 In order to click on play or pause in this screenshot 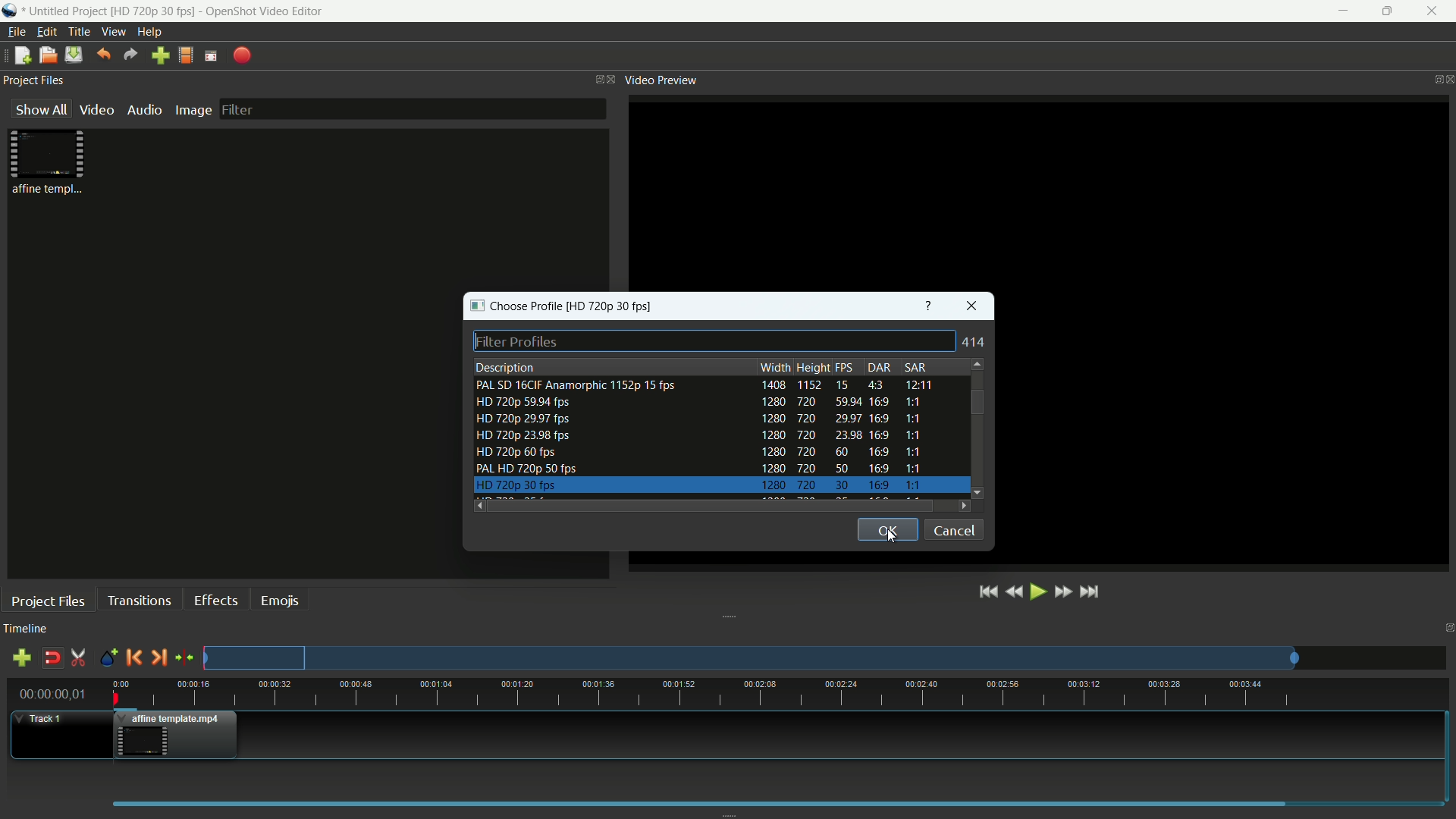, I will do `click(1036, 592)`.